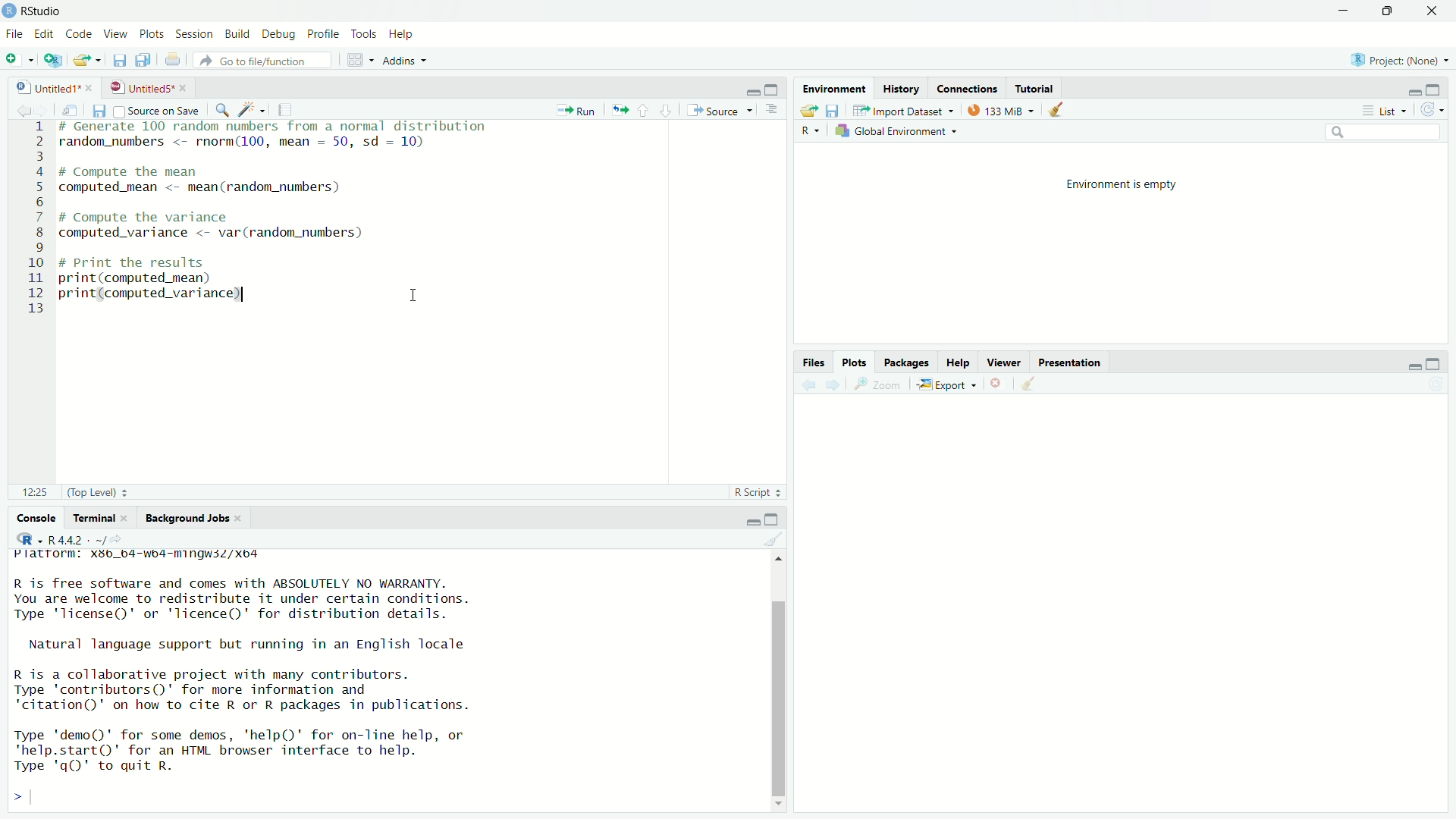 The image size is (1456, 819). What do you see at coordinates (904, 87) in the screenshot?
I see `history` at bounding box center [904, 87].